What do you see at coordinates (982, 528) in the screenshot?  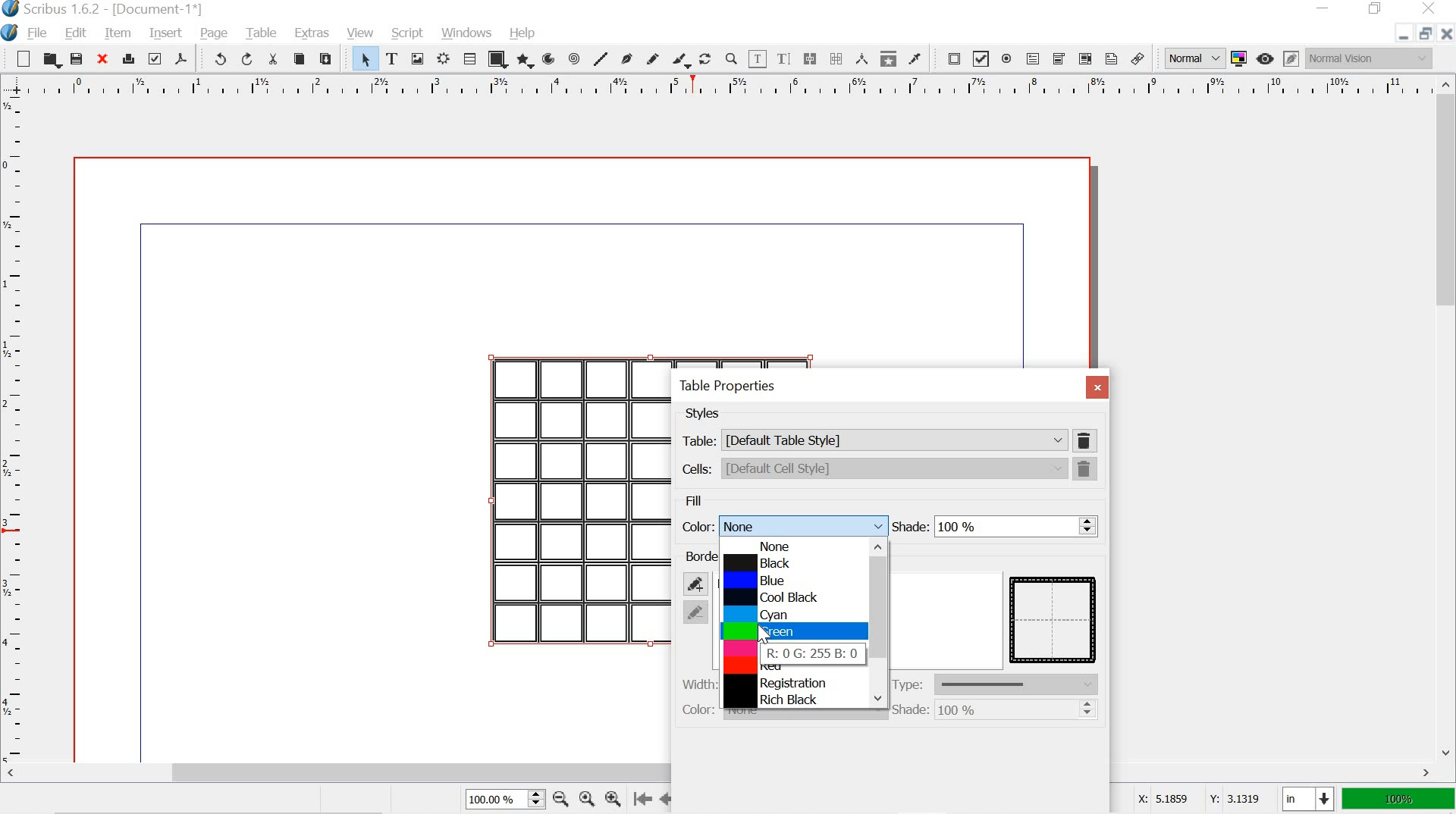 I see `shade` at bounding box center [982, 528].